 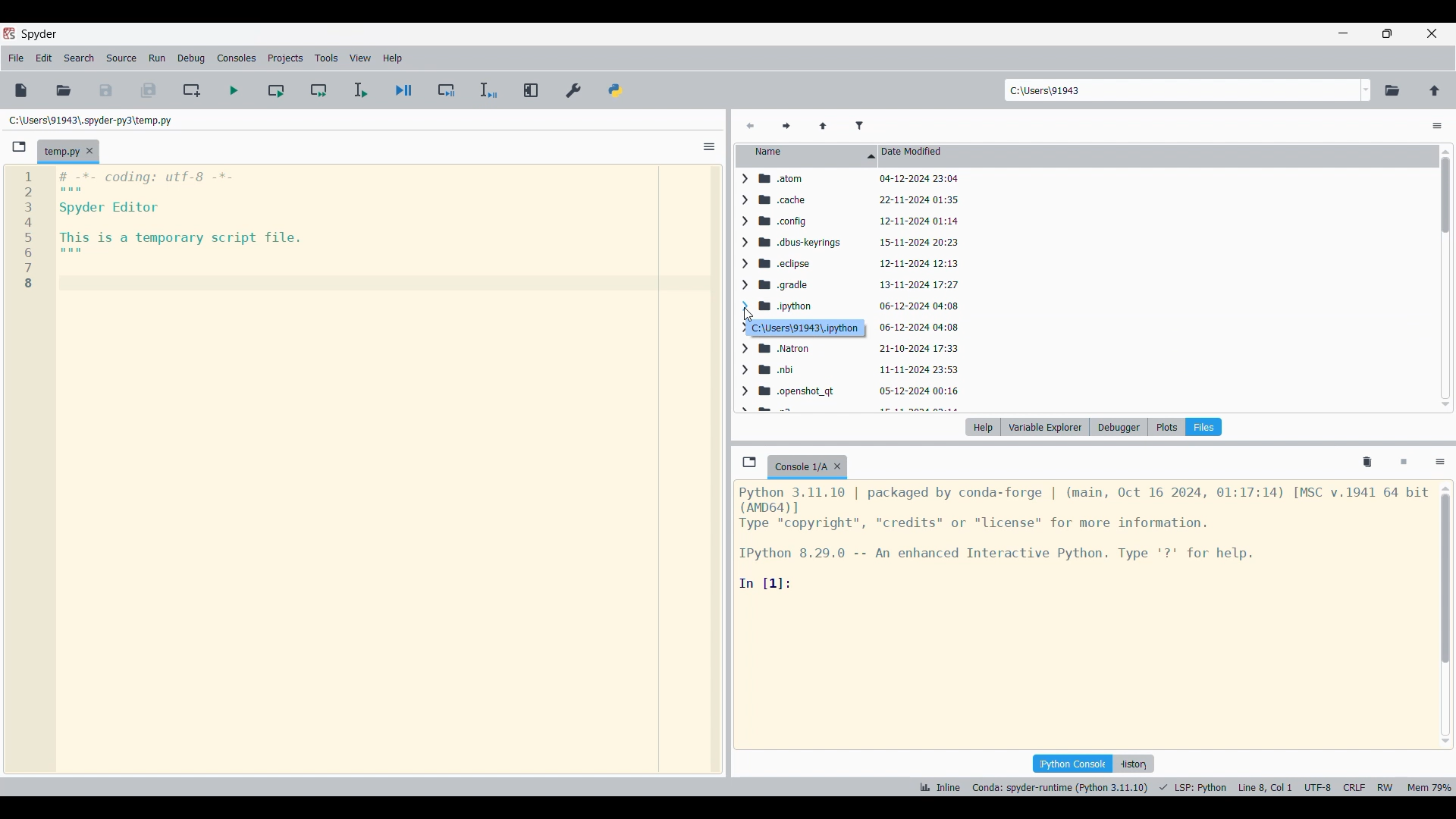 I want to click on File menu, so click(x=16, y=58).